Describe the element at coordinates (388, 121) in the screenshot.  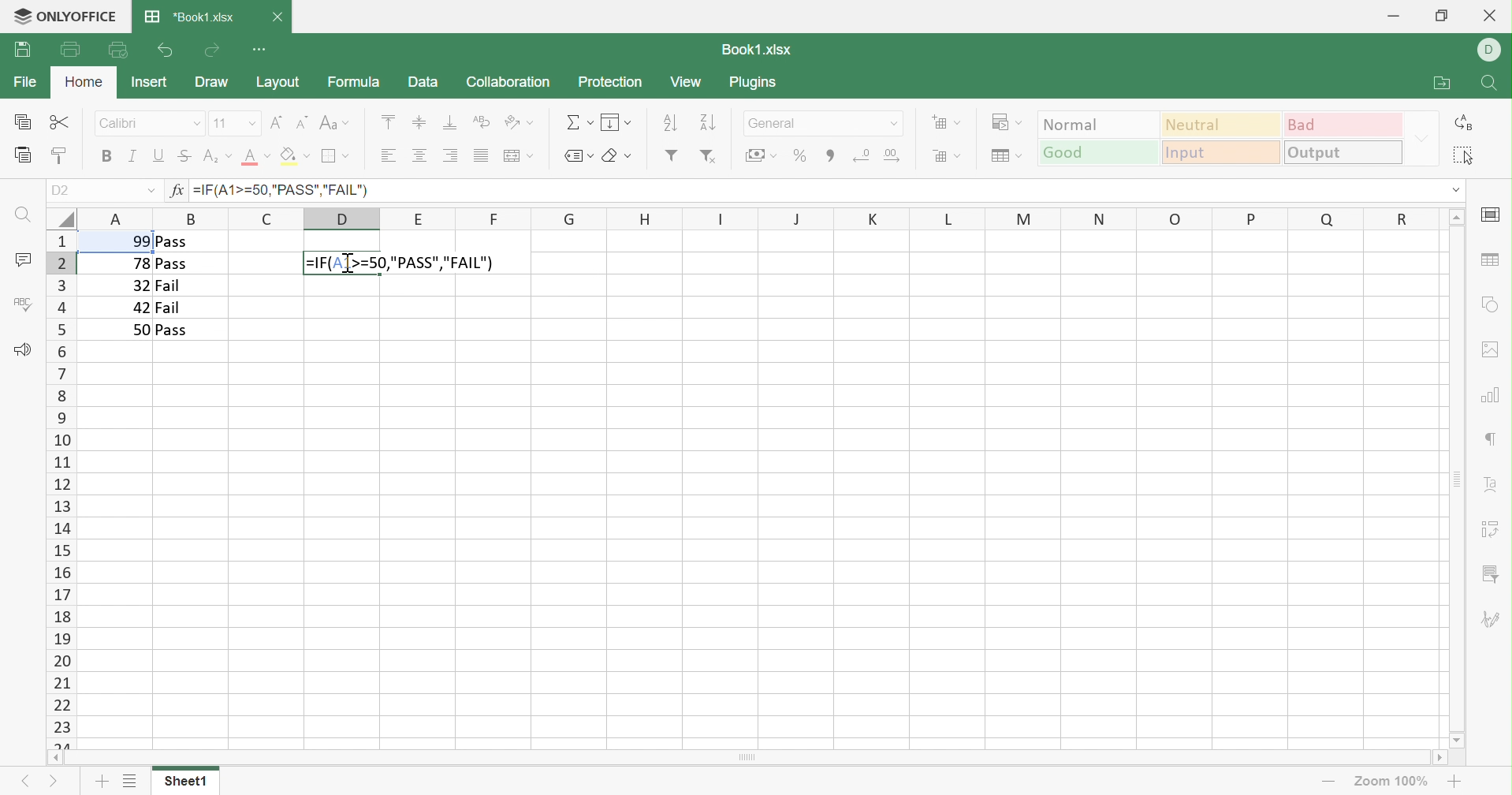
I see `Align top` at that location.